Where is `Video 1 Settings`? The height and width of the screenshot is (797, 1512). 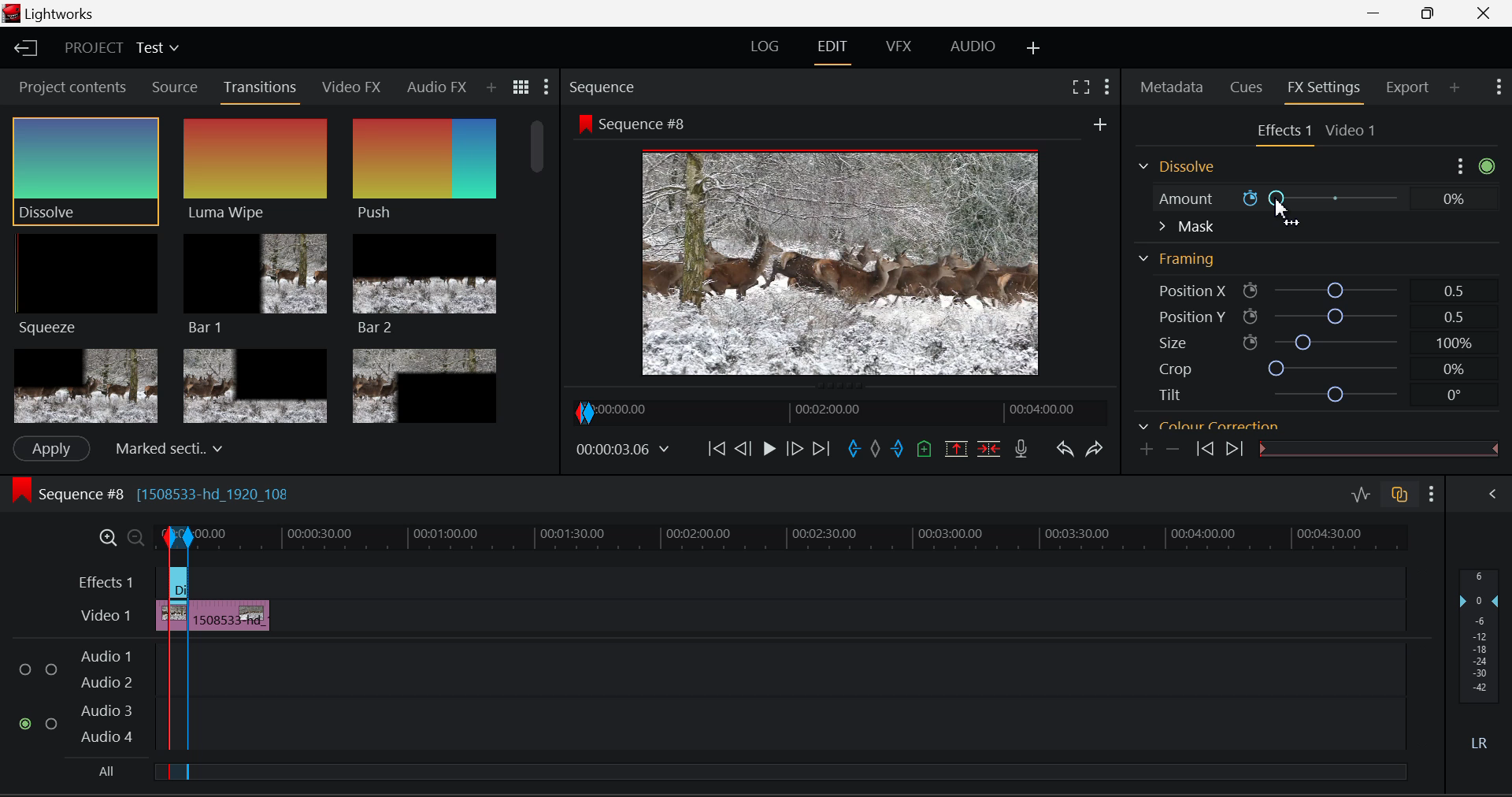 Video 1 Settings is located at coordinates (1351, 129).